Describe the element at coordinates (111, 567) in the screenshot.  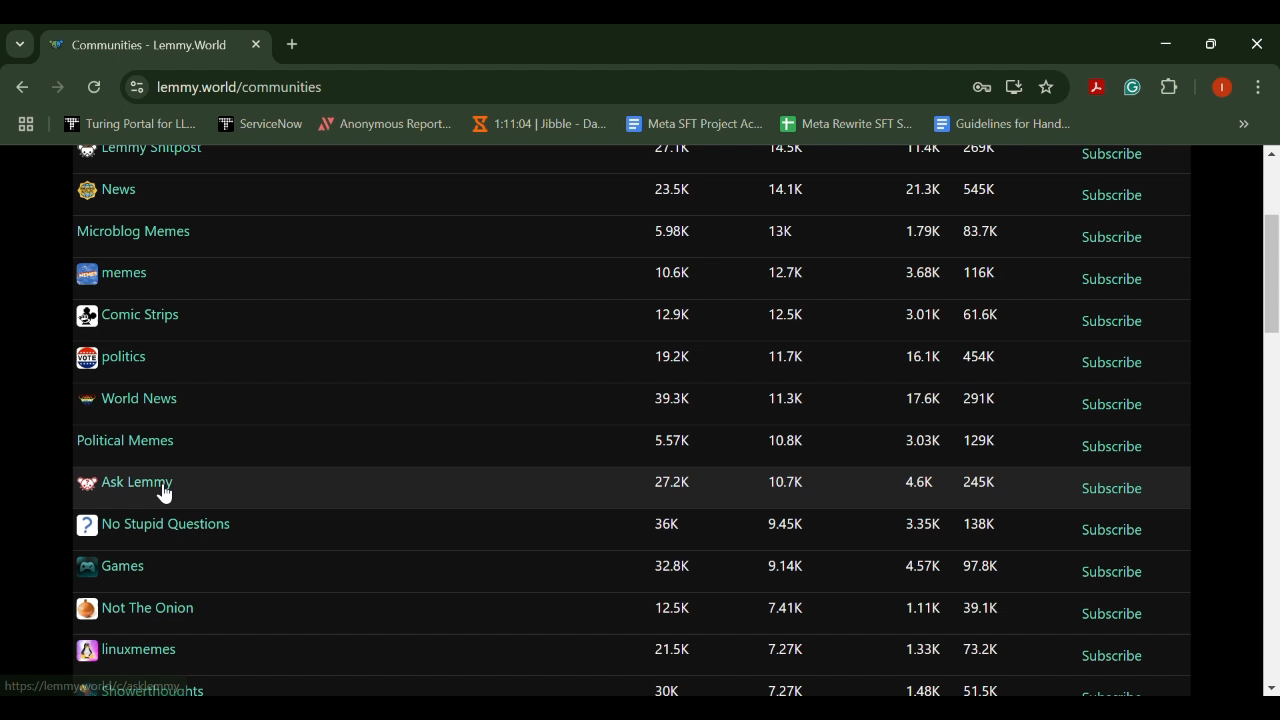
I see `Games` at that location.